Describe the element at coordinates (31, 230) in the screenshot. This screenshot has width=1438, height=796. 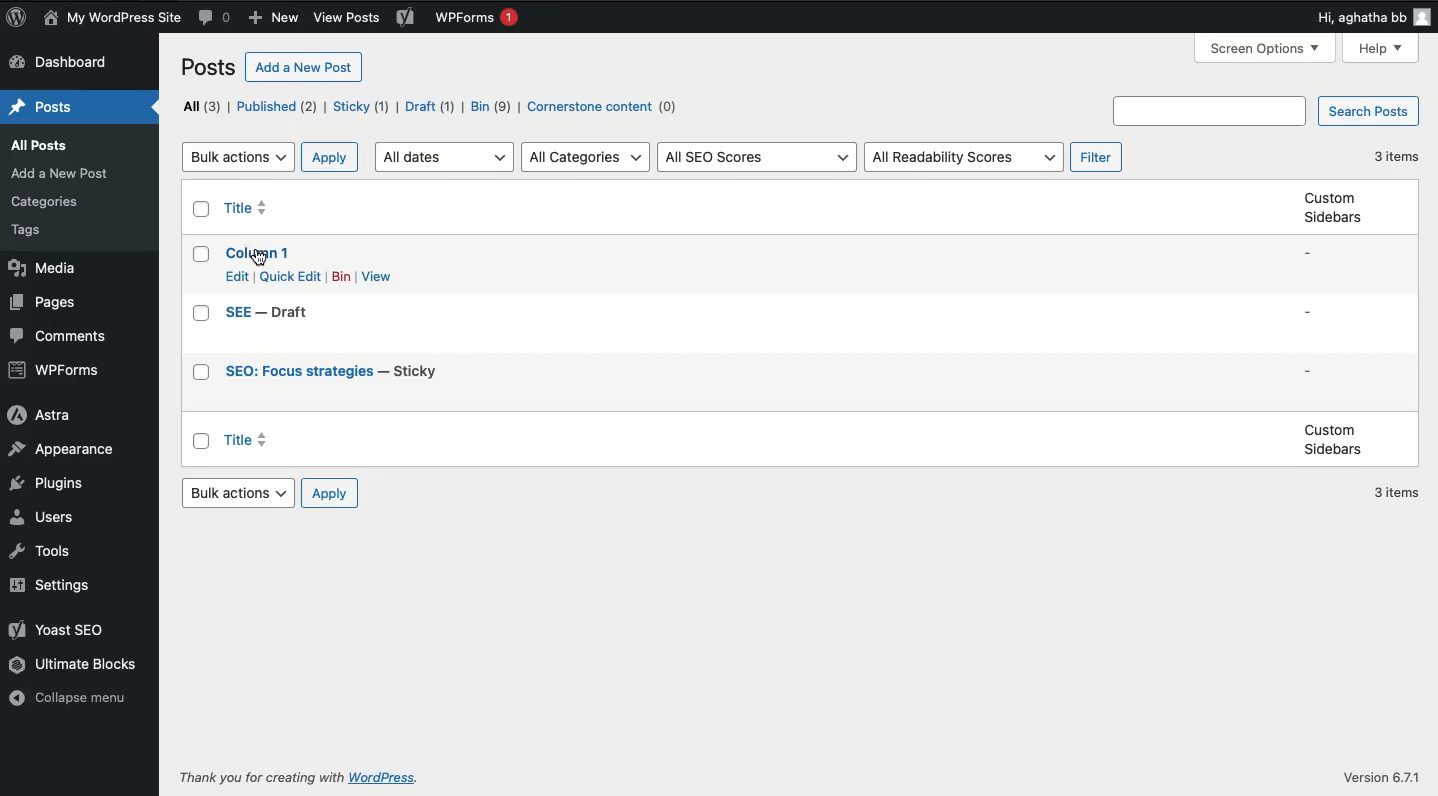
I see `tags` at that location.